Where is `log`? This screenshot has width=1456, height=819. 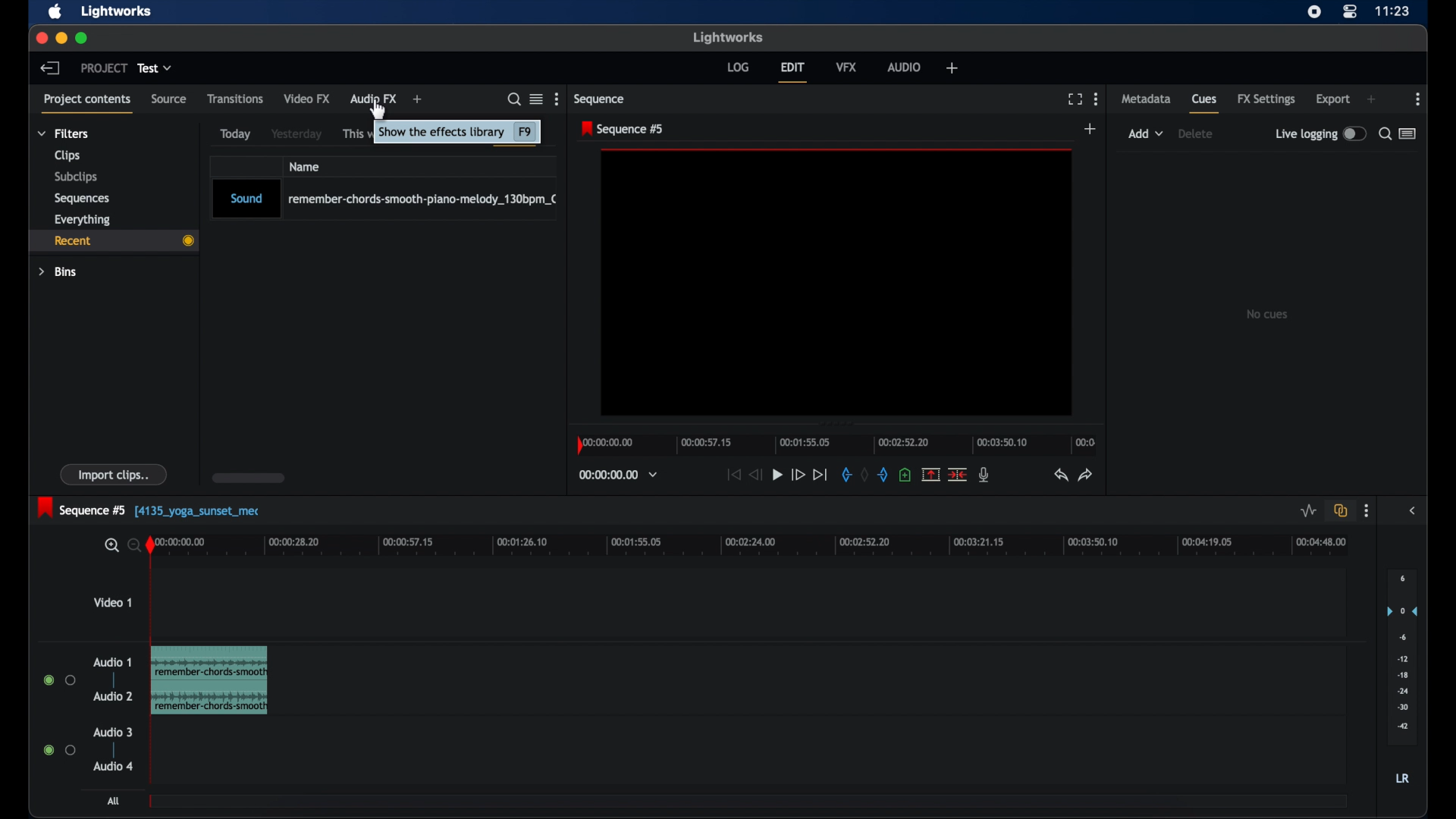
log is located at coordinates (738, 67).